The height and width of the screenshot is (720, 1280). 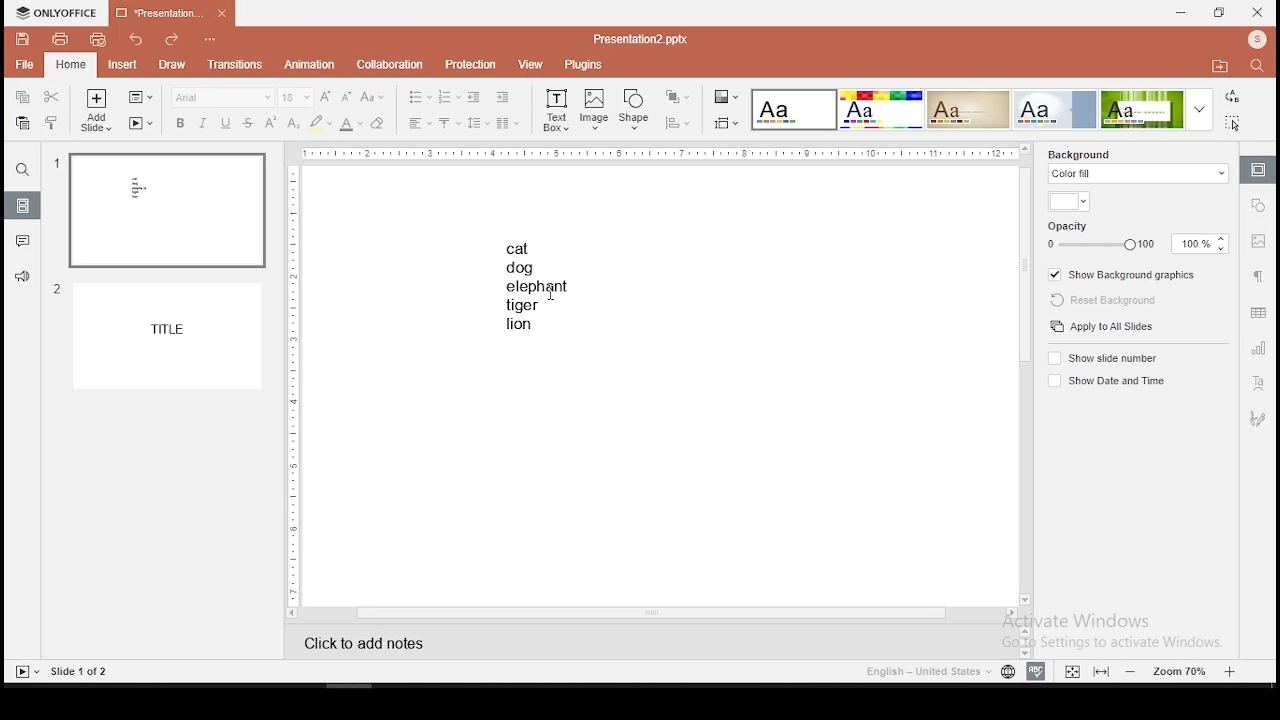 I want to click on cursor, so click(x=550, y=296).